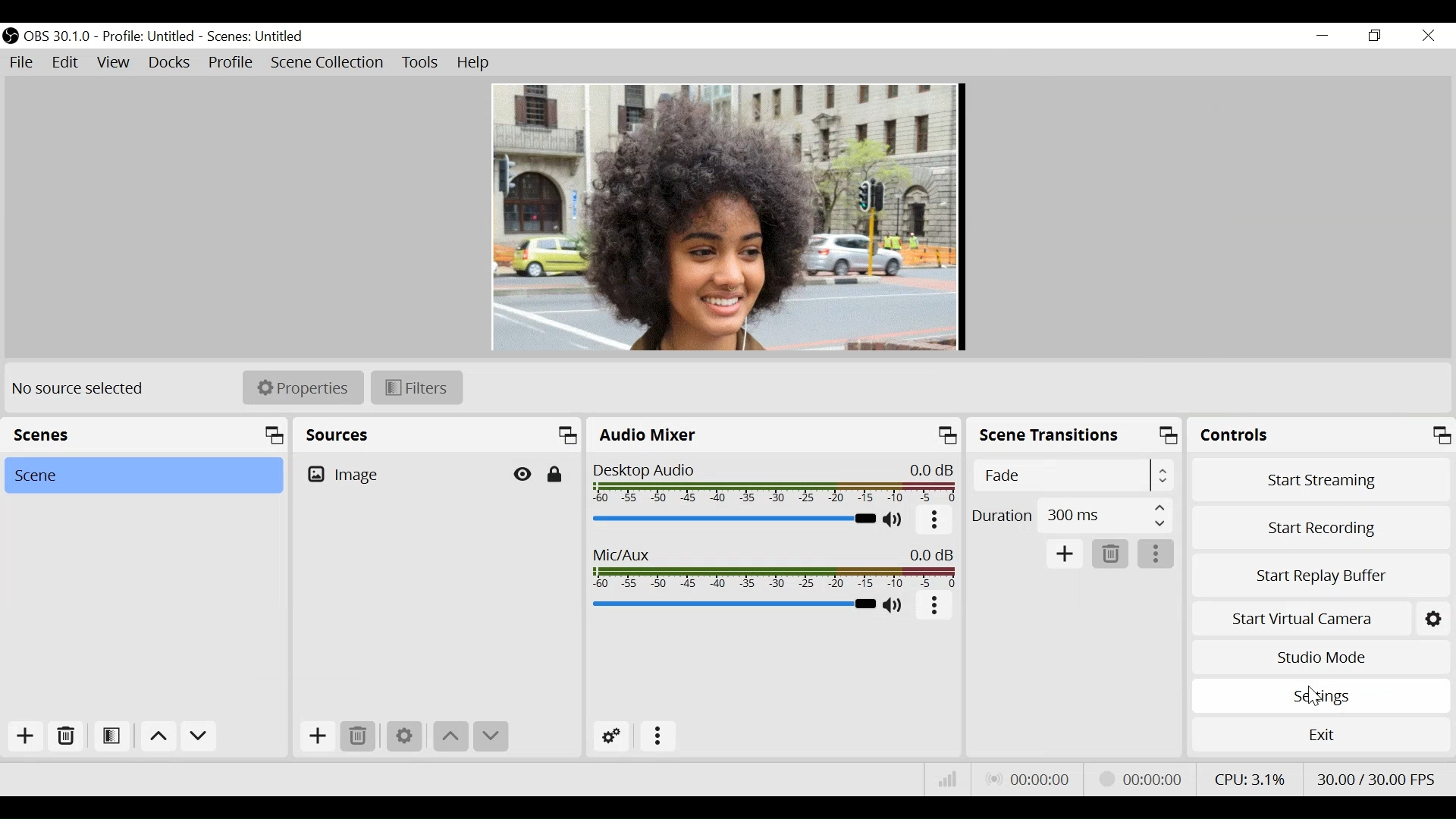 The image size is (1456, 819). Describe the element at coordinates (1323, 36) in the screenshot. I see `Minimize` at that location.